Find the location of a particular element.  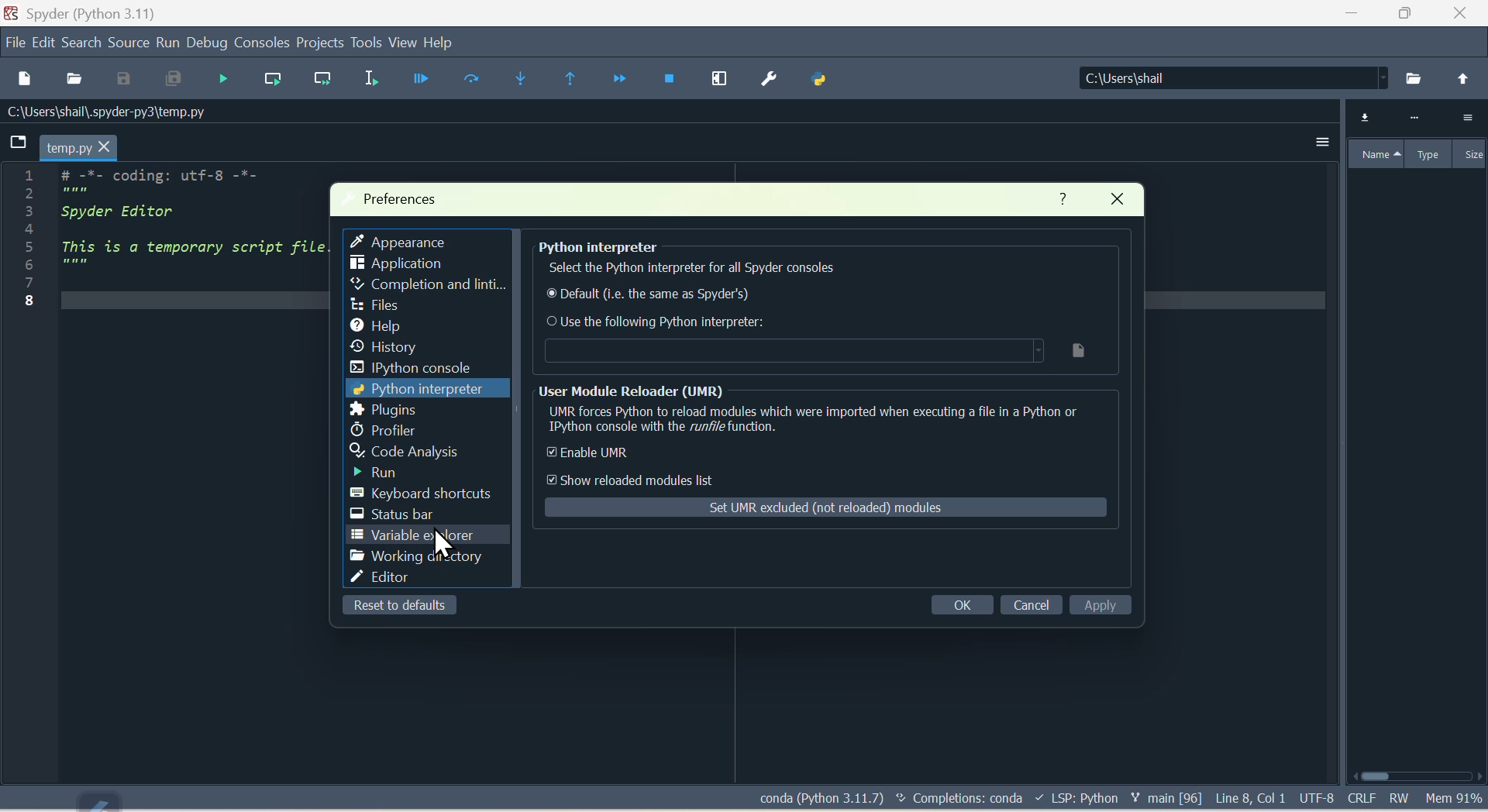

Tools  is located at coordinates (367, 43).